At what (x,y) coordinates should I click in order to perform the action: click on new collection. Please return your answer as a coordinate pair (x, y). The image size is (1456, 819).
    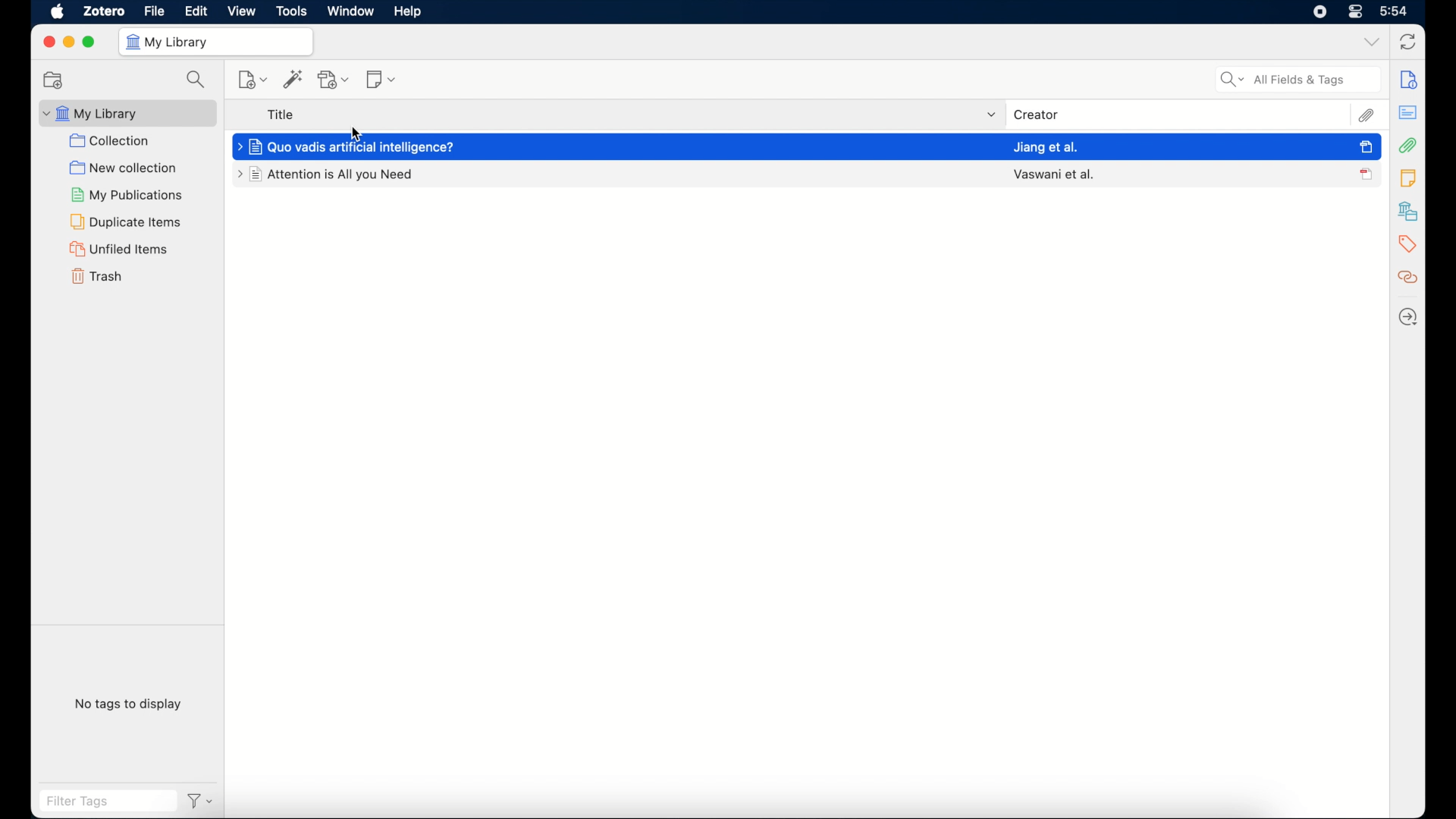
    Looking at the image, I should click on (127, 169).